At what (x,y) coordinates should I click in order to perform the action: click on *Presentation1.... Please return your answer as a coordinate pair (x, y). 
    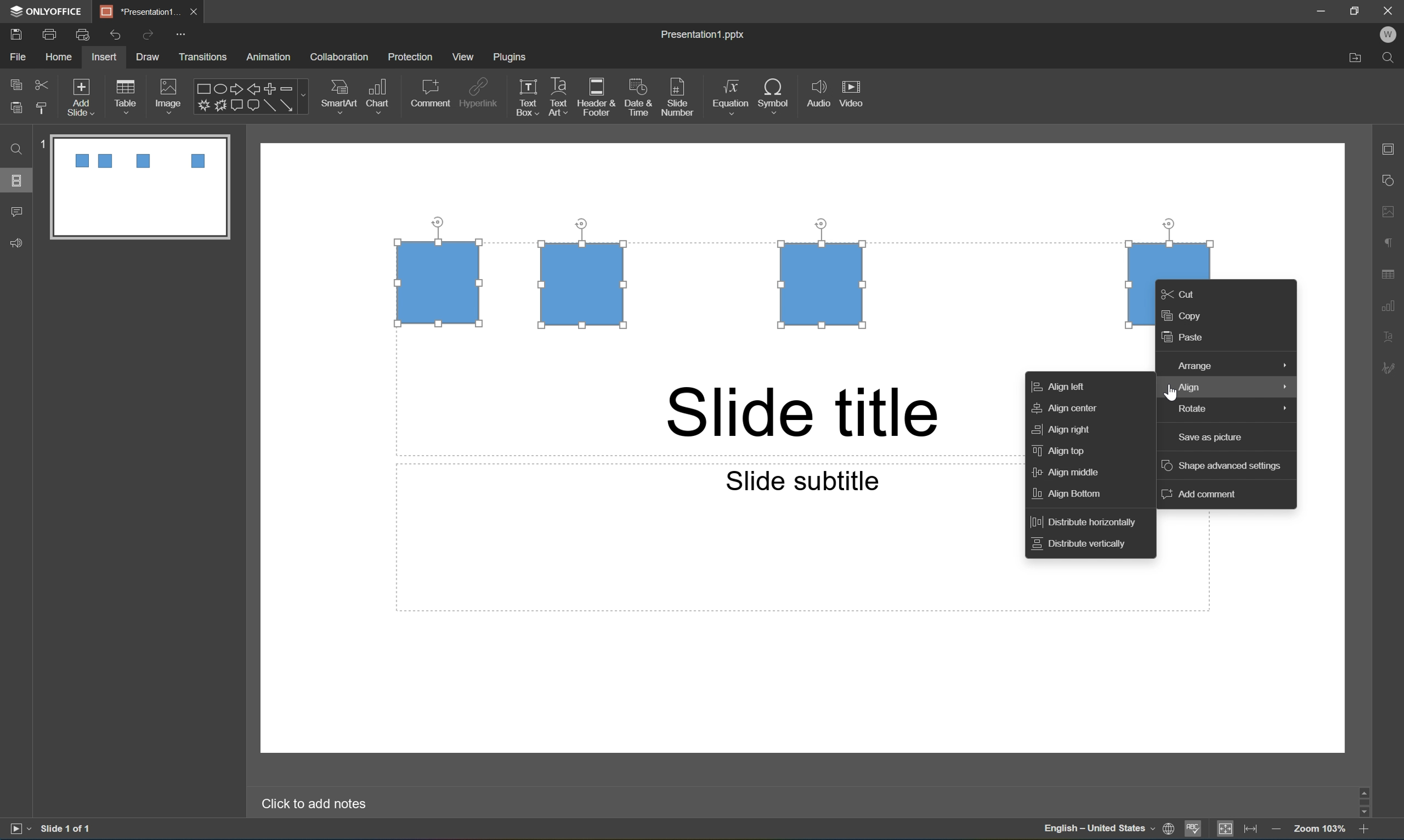
    Looking at the image, I should click on (142, 10).